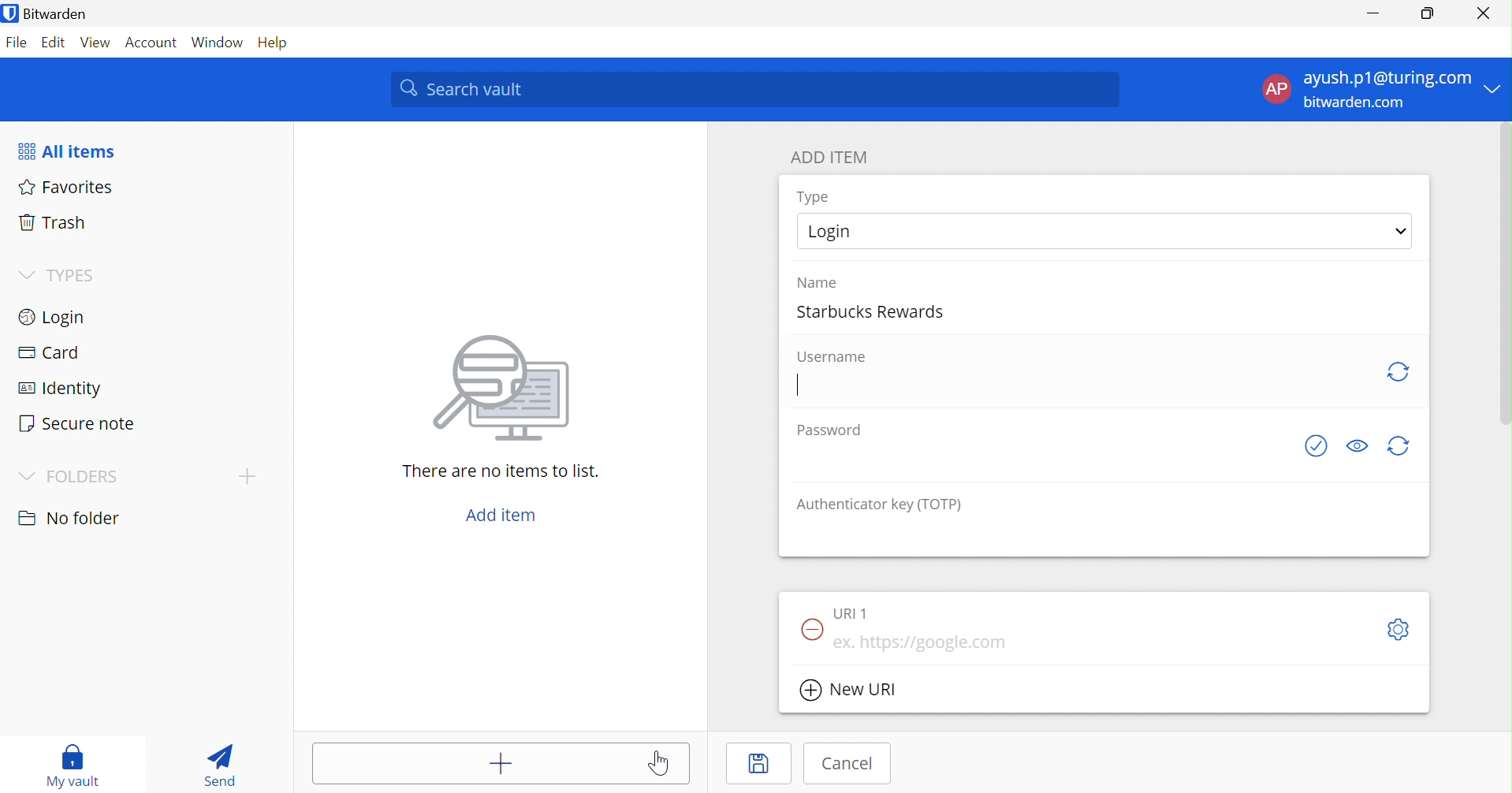 The width and height of the screenshot is (1512, 793). What do you see at coordinates (67, 188) in the screenshot?
I see `Favorites` at bounding box center [67, 188].